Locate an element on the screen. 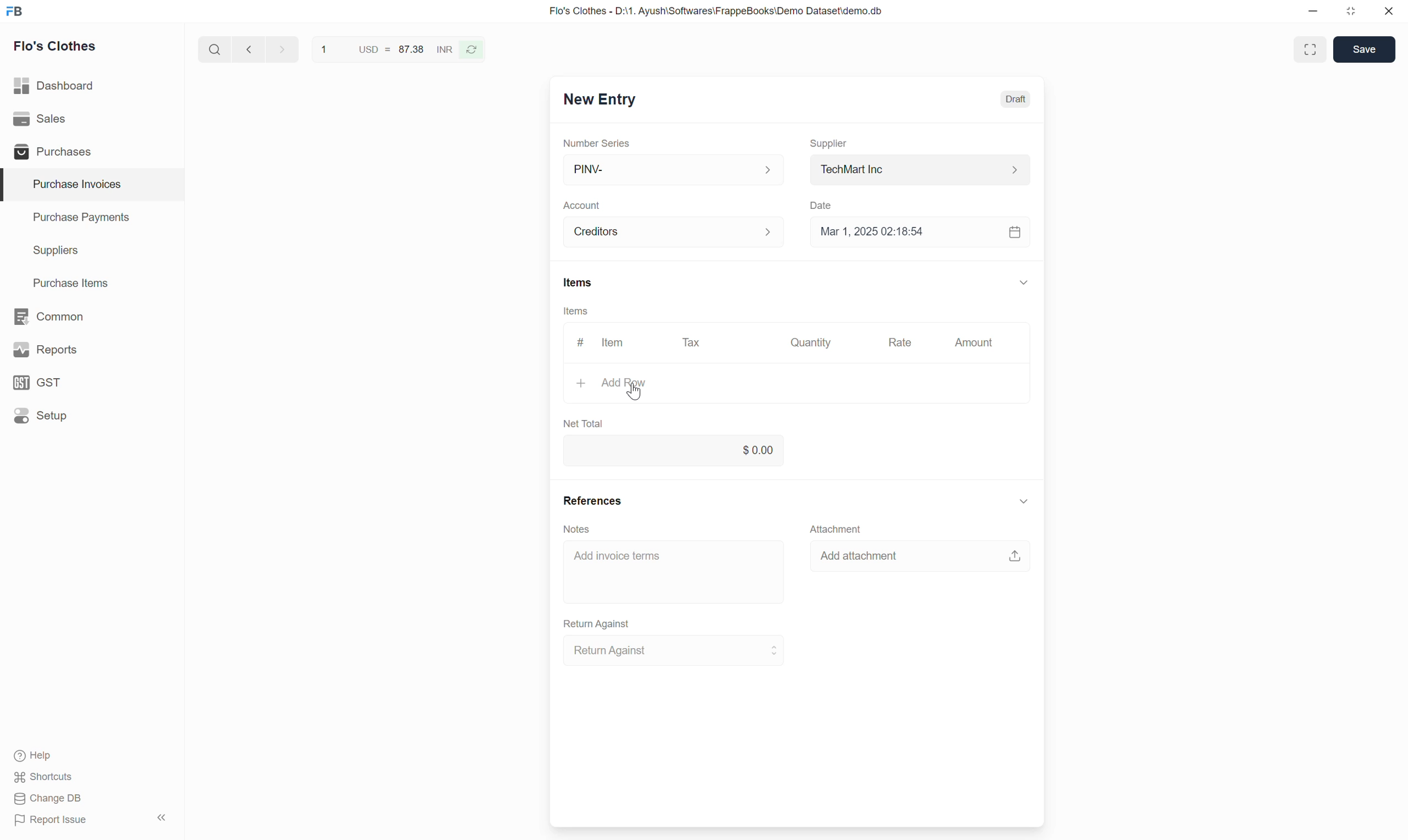 This screenshot has width=1408, height=840. Rate is located at coordinates (900, 342).